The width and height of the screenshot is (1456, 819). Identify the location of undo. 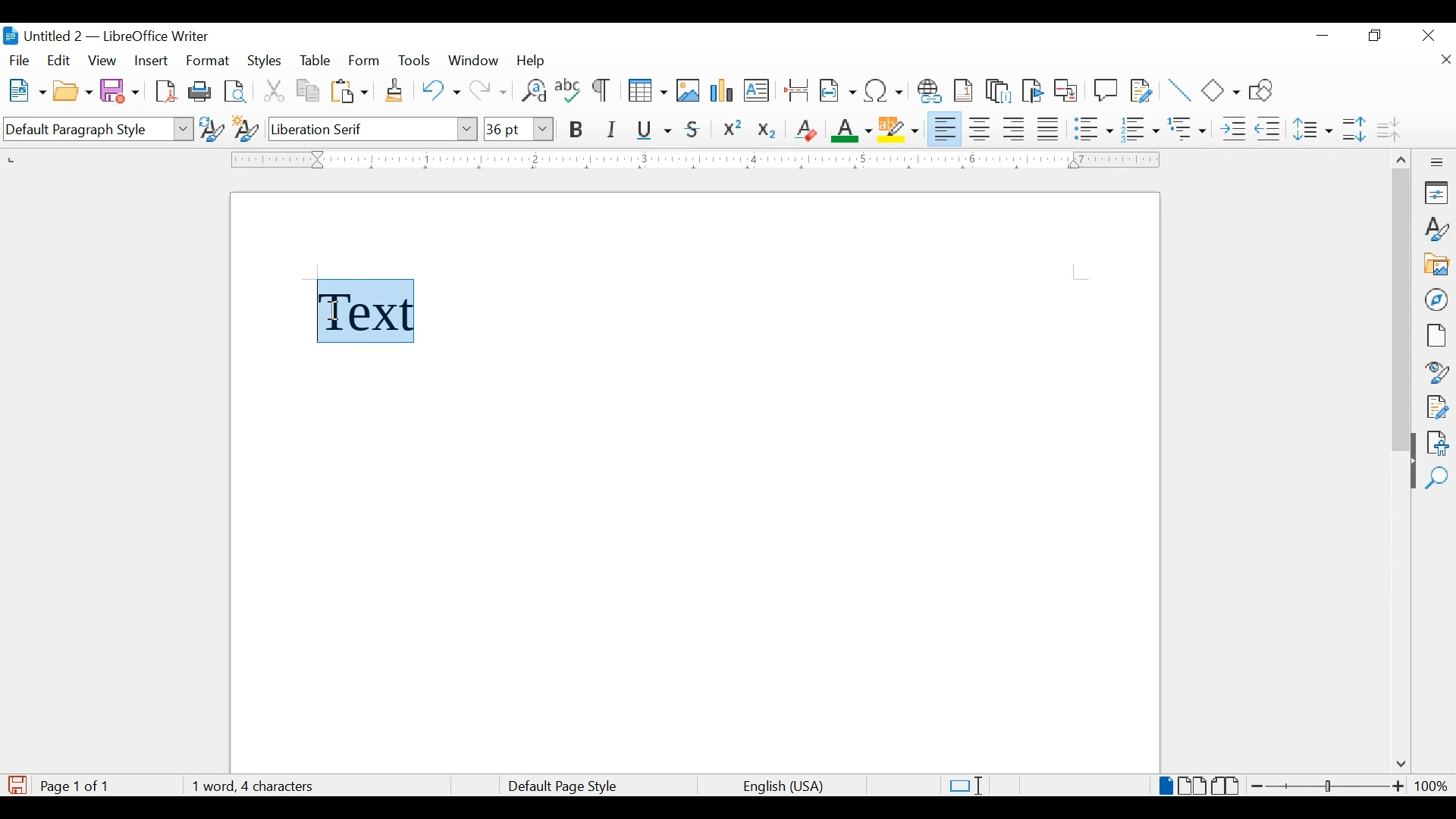
(441, 90).